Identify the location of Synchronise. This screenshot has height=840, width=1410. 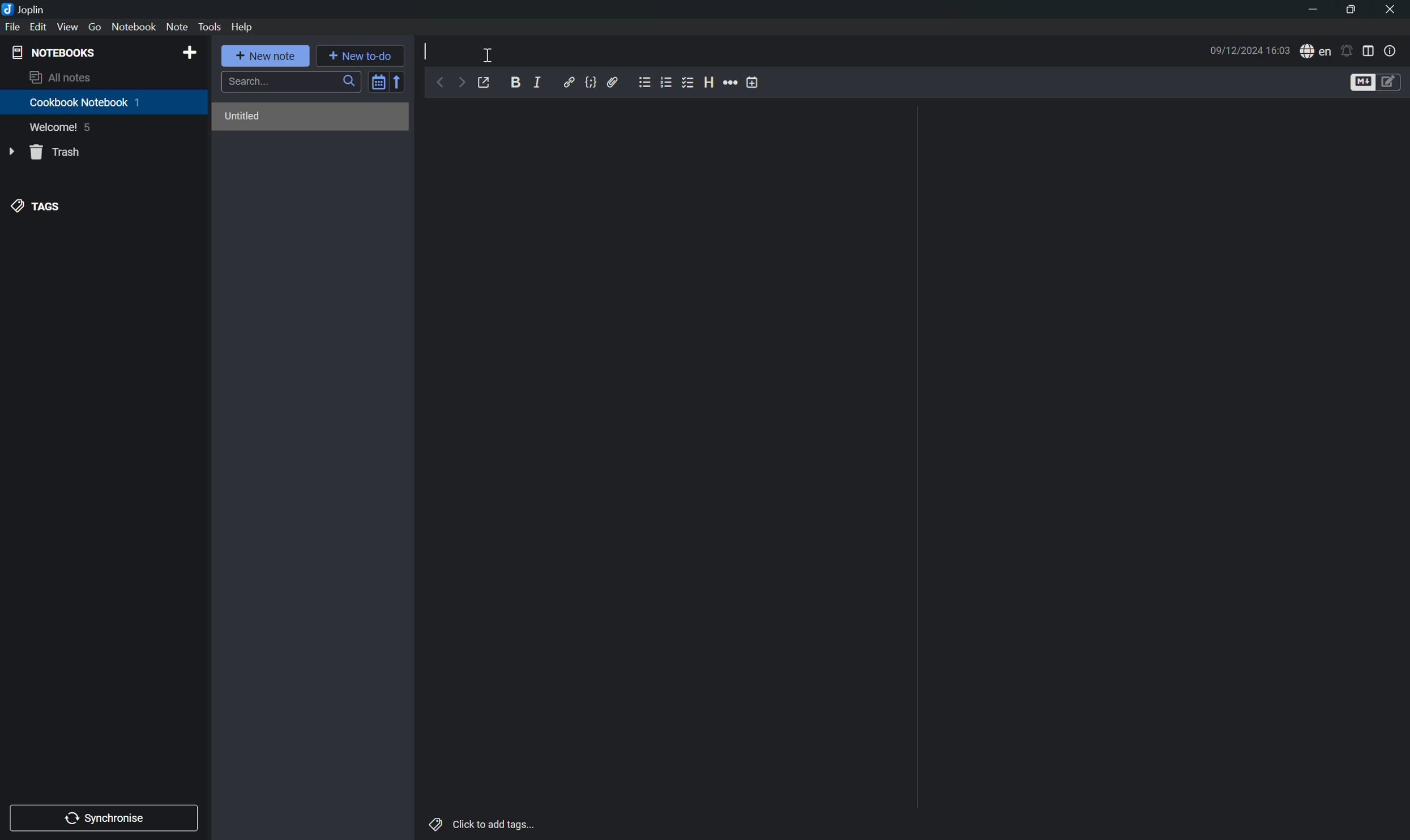
(106, 817).